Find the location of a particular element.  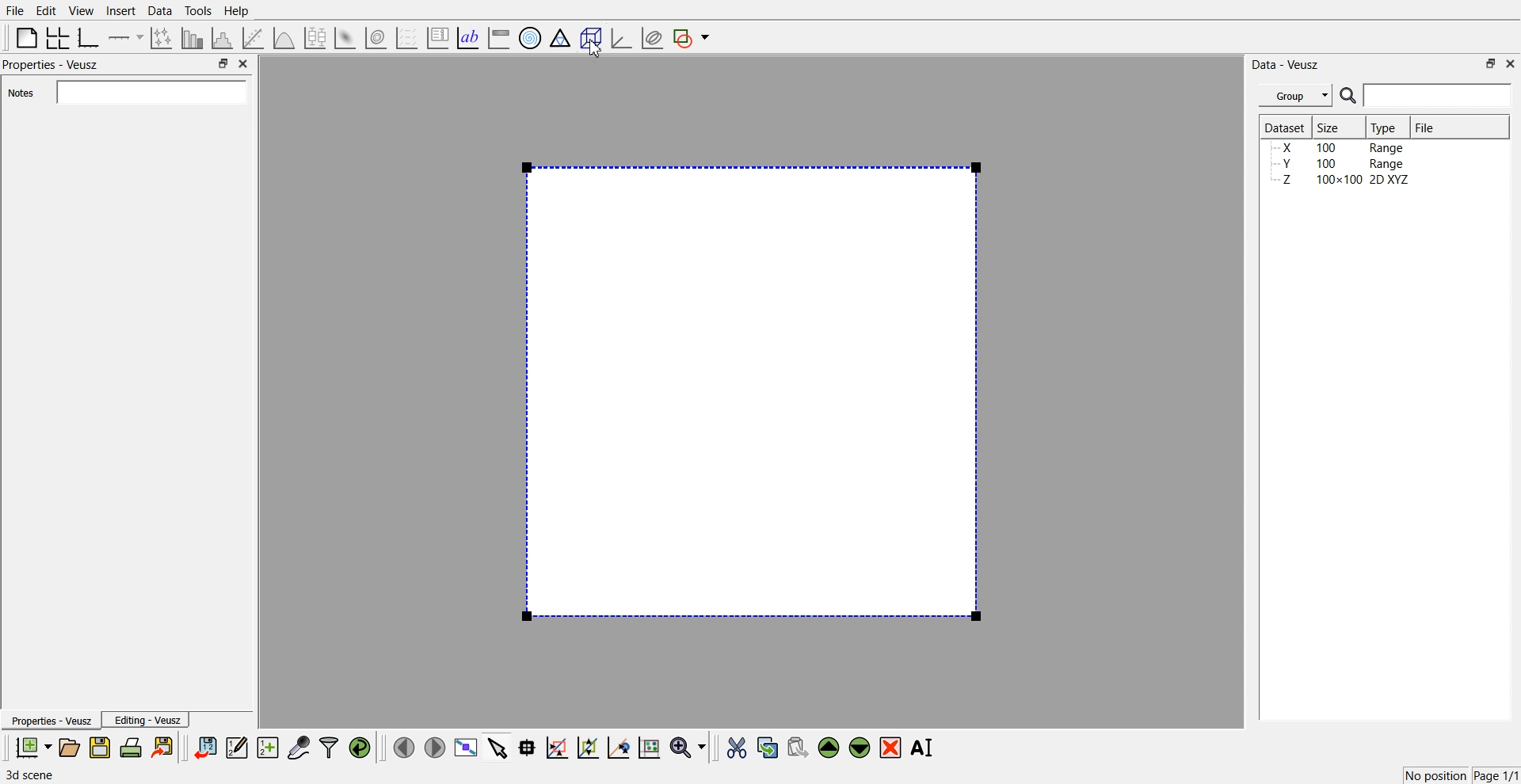

Move to the previous page is located at coordinates (404, 747).